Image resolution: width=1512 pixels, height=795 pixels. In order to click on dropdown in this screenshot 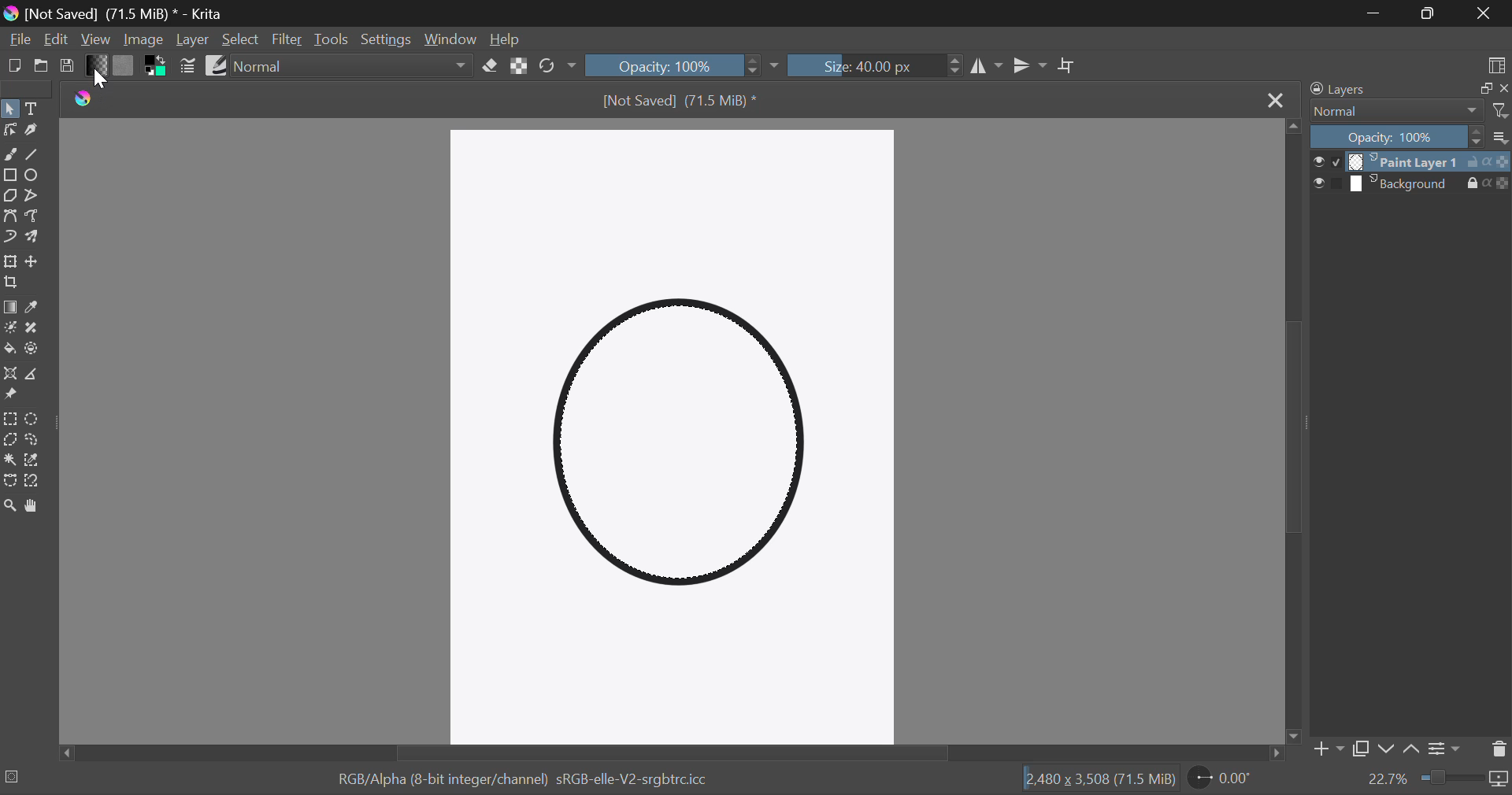, I will do `click(776, 67)`.